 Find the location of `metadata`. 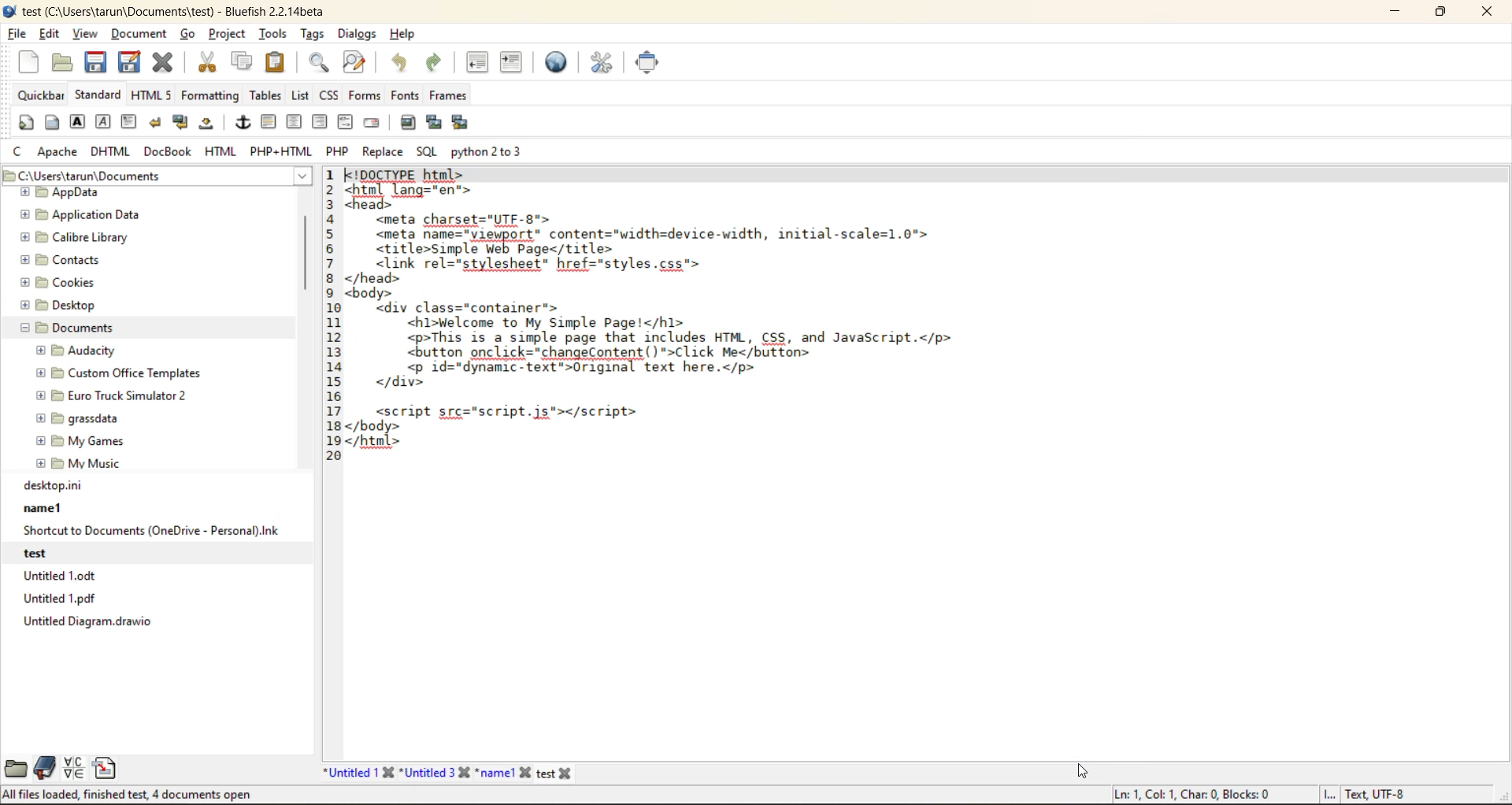

metadata is located at coordinates (1260, 795).